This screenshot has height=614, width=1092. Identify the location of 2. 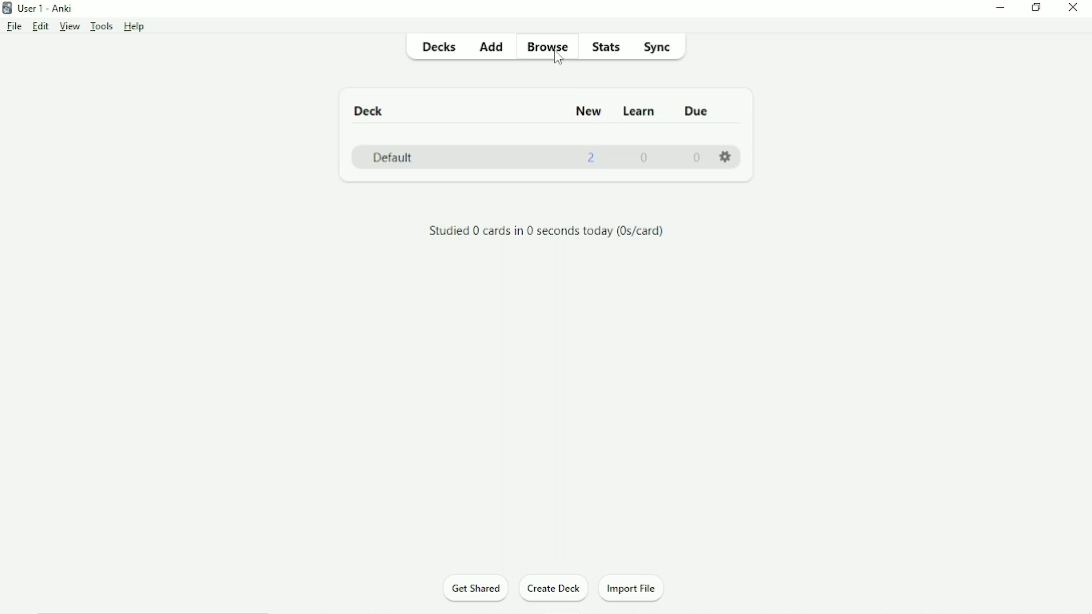
(593, 158).